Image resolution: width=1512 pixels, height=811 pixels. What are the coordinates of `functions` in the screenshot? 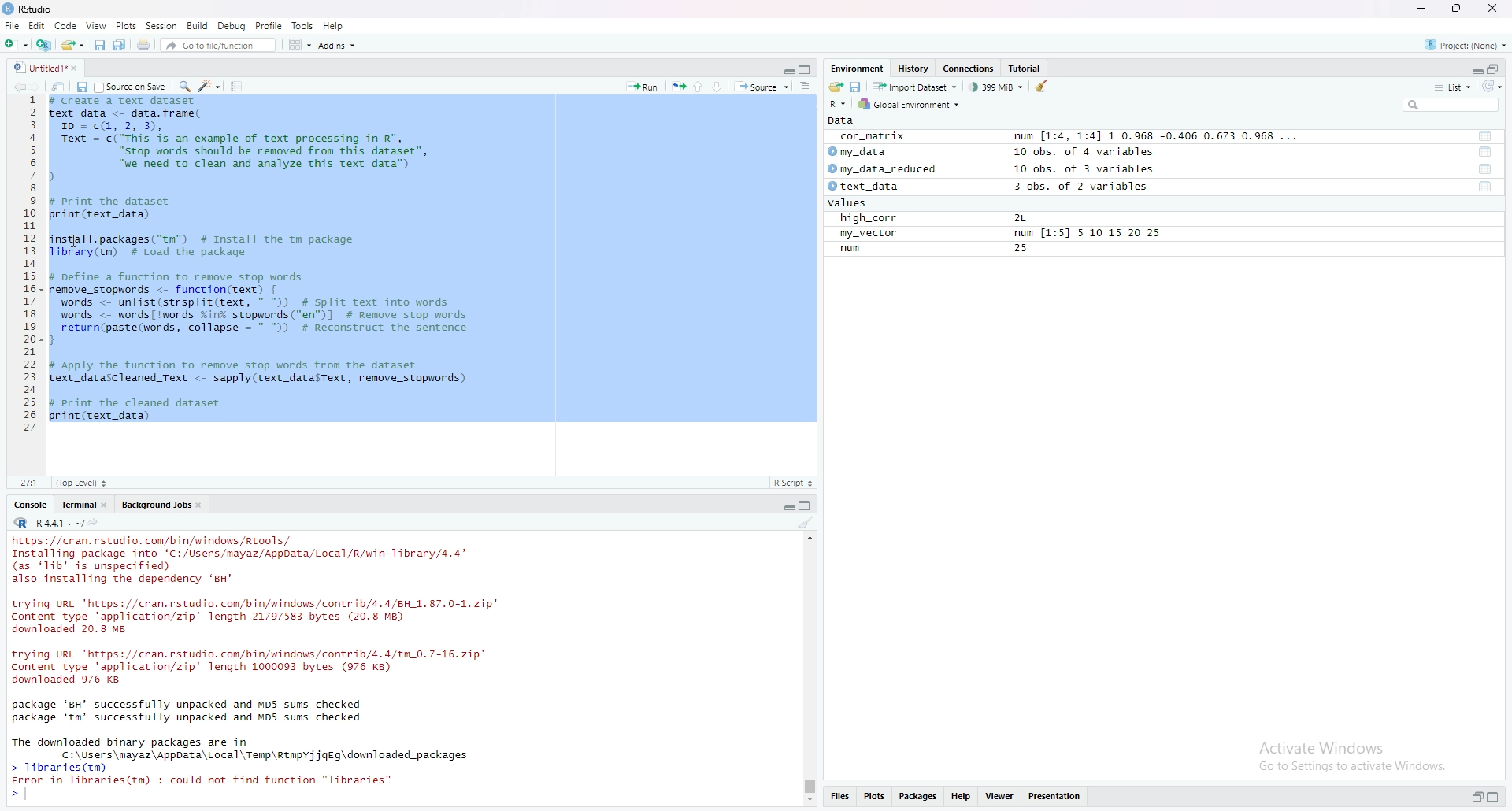 It's located at (1487, 153).